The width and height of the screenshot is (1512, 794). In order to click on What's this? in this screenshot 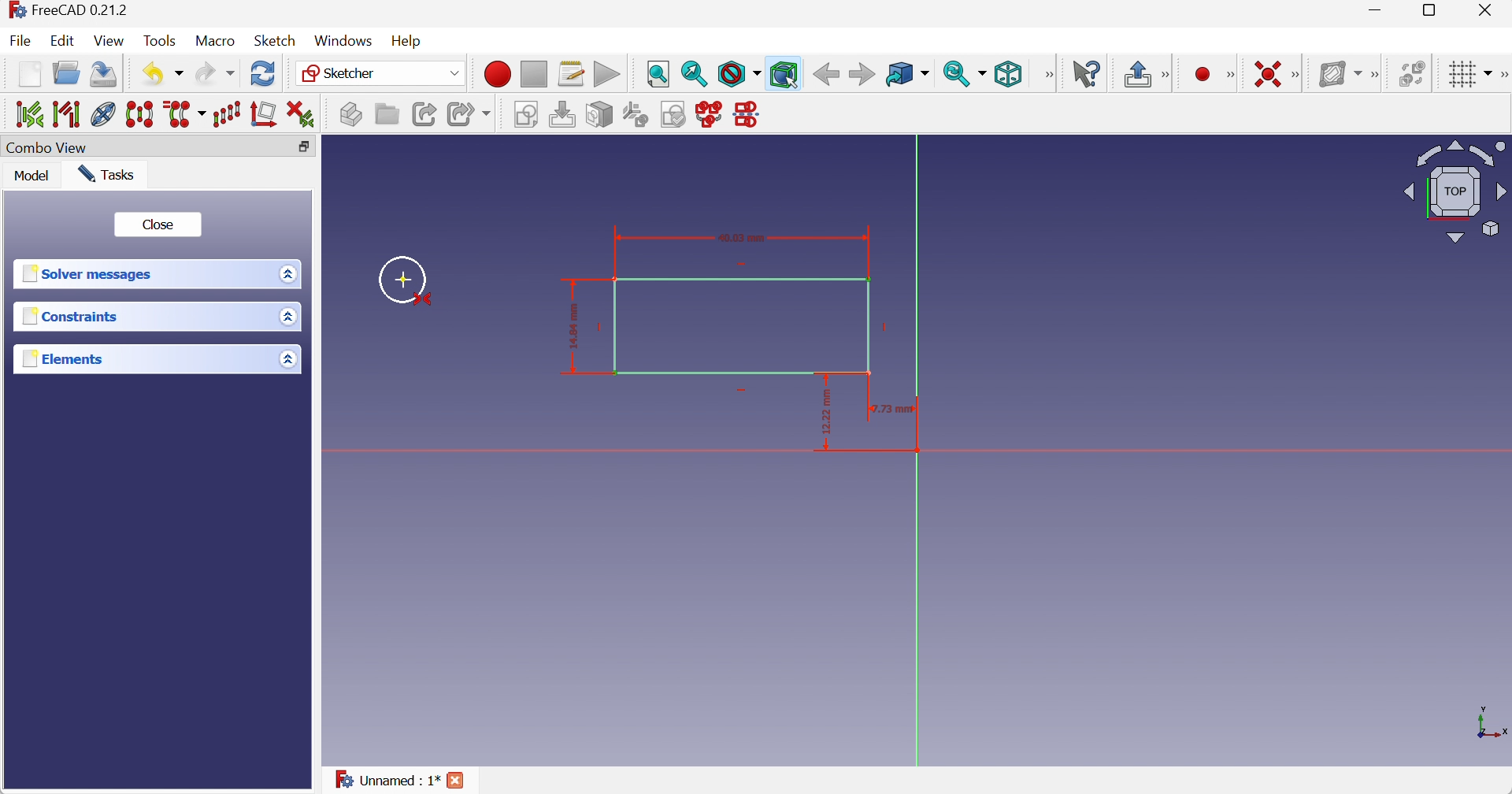, I will do `click(1087, 73)`.